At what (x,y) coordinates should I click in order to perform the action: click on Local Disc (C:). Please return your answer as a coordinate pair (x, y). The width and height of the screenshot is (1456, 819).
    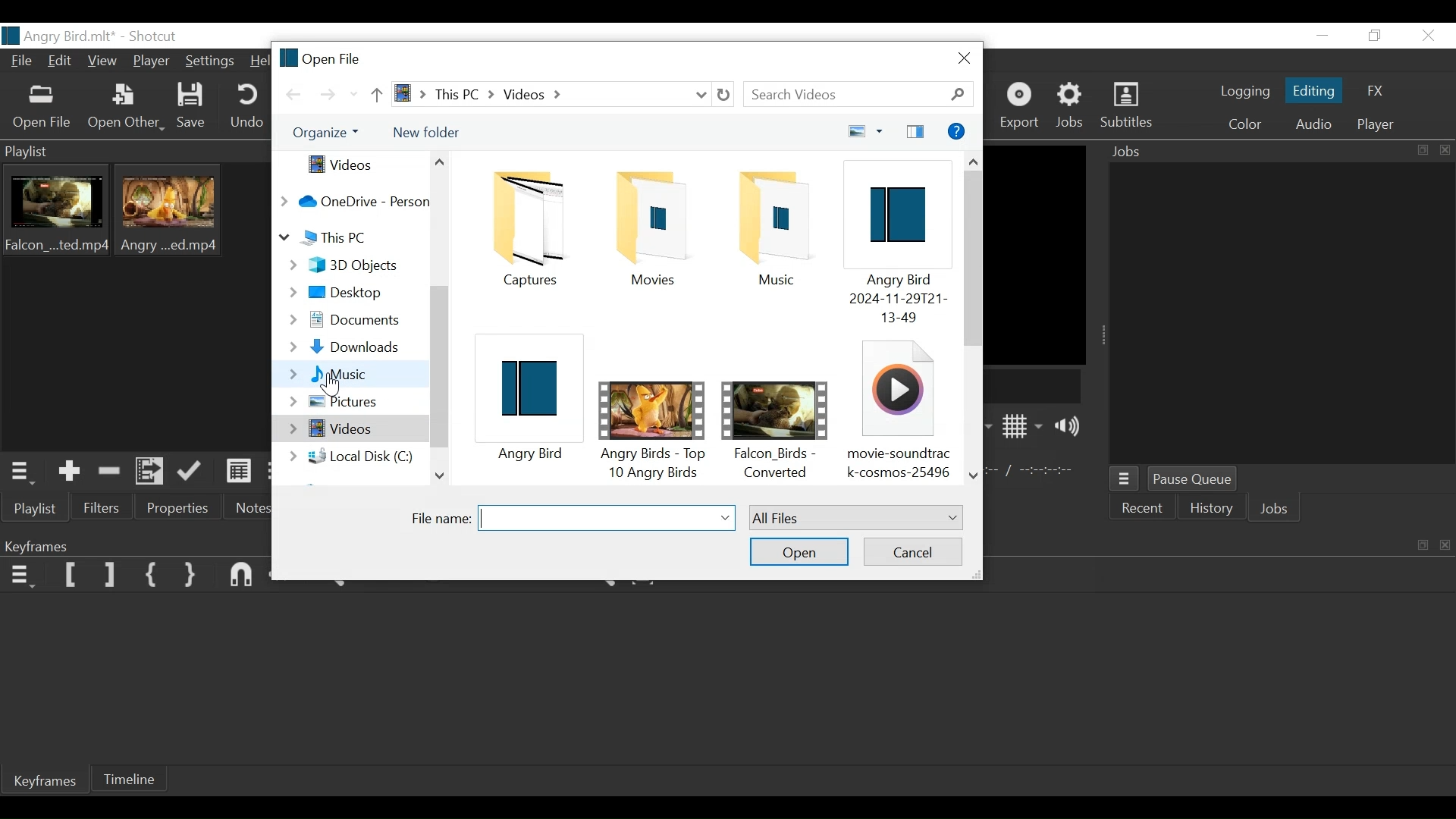
    Looking at the image, I should click on (349, 456).